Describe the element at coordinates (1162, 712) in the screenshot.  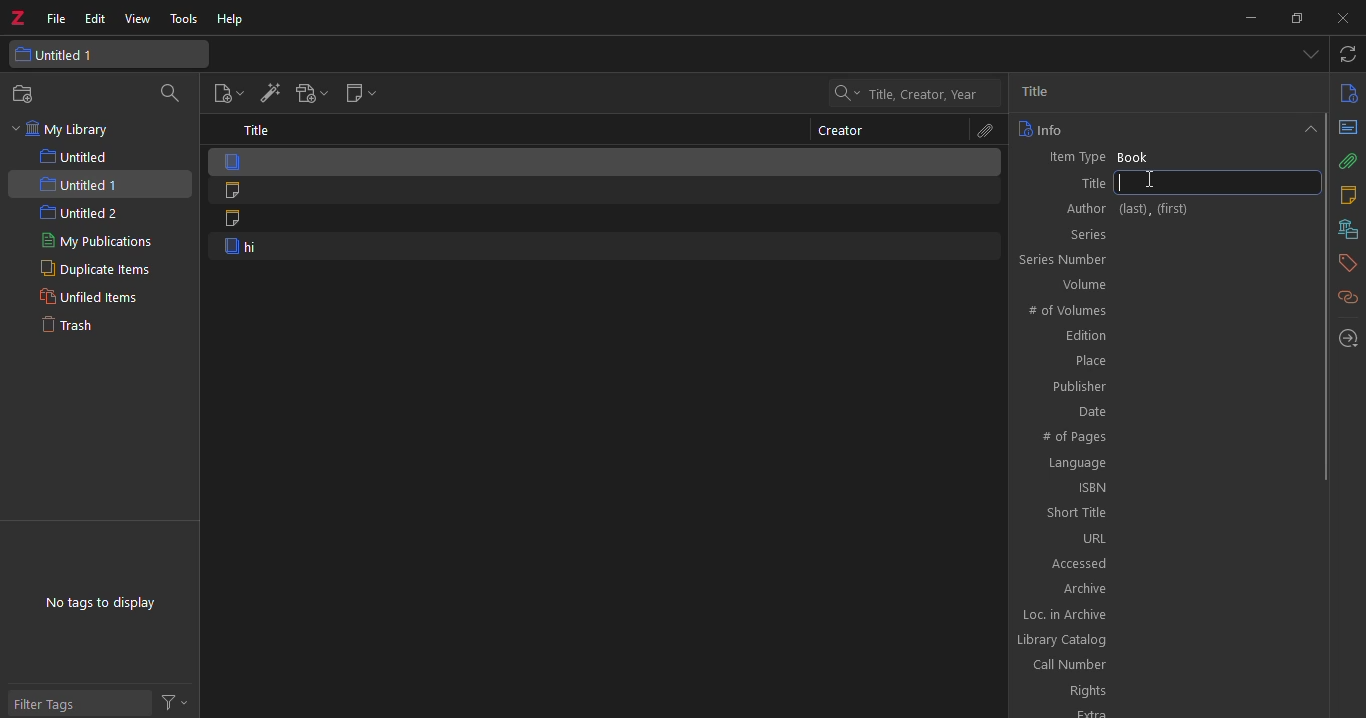
I see `Extra` at that location.